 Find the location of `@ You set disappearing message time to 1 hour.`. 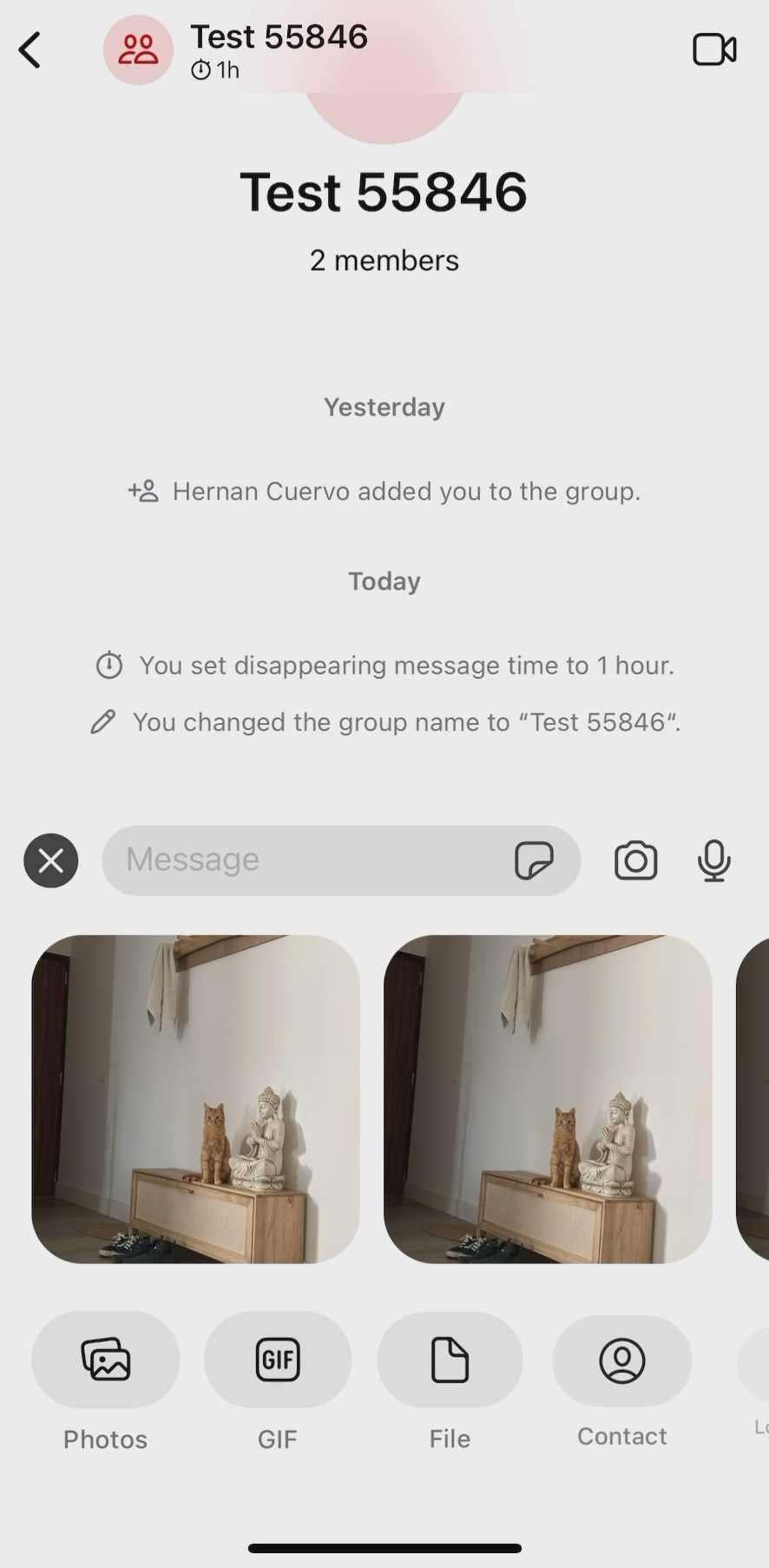

@ You set disappearing message time to 1 hour. is located at coordinates (382, 662).